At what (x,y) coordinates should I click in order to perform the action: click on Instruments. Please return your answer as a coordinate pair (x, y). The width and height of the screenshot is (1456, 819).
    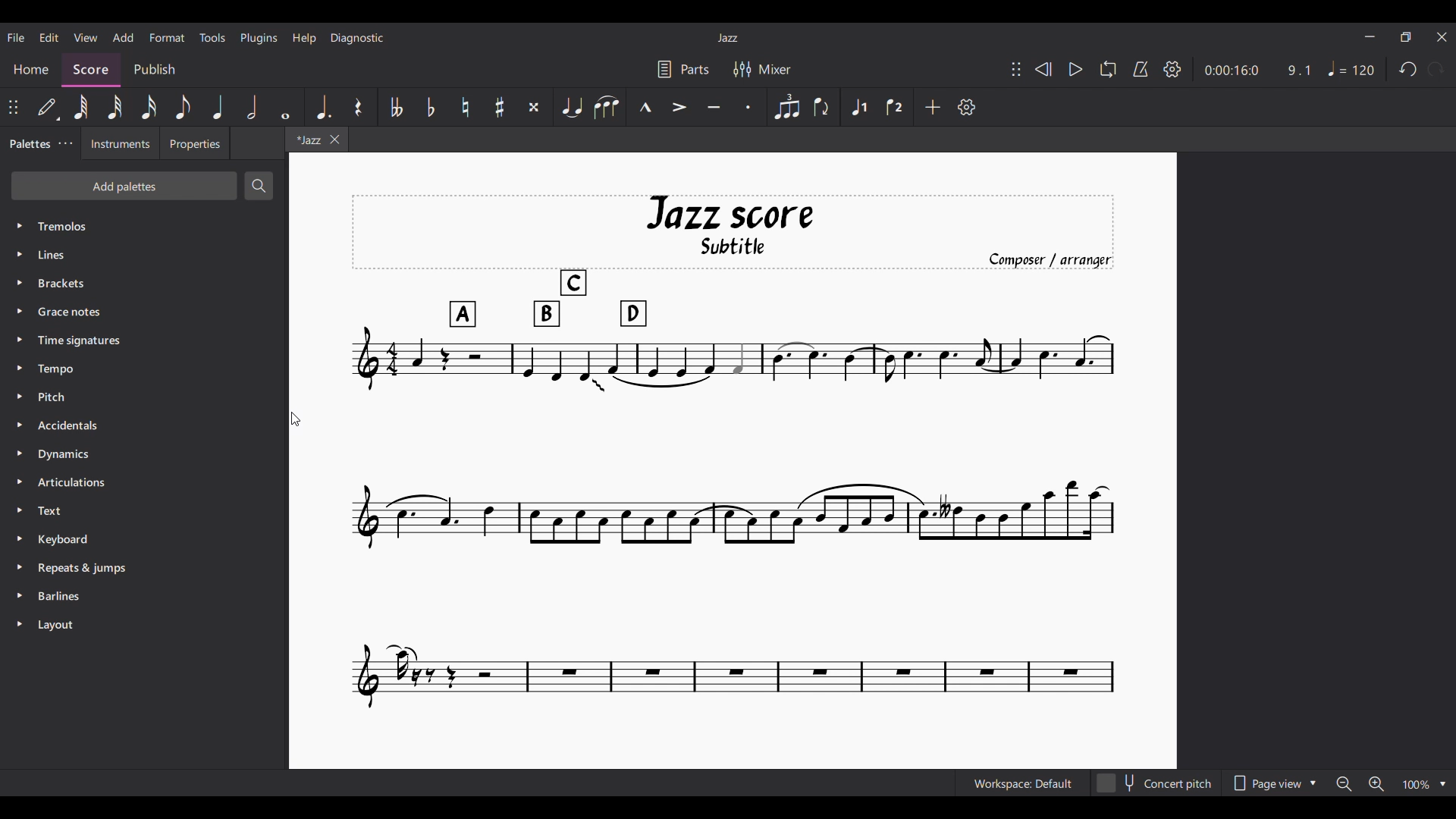
    Looking at the image, I should click on (120, 143).